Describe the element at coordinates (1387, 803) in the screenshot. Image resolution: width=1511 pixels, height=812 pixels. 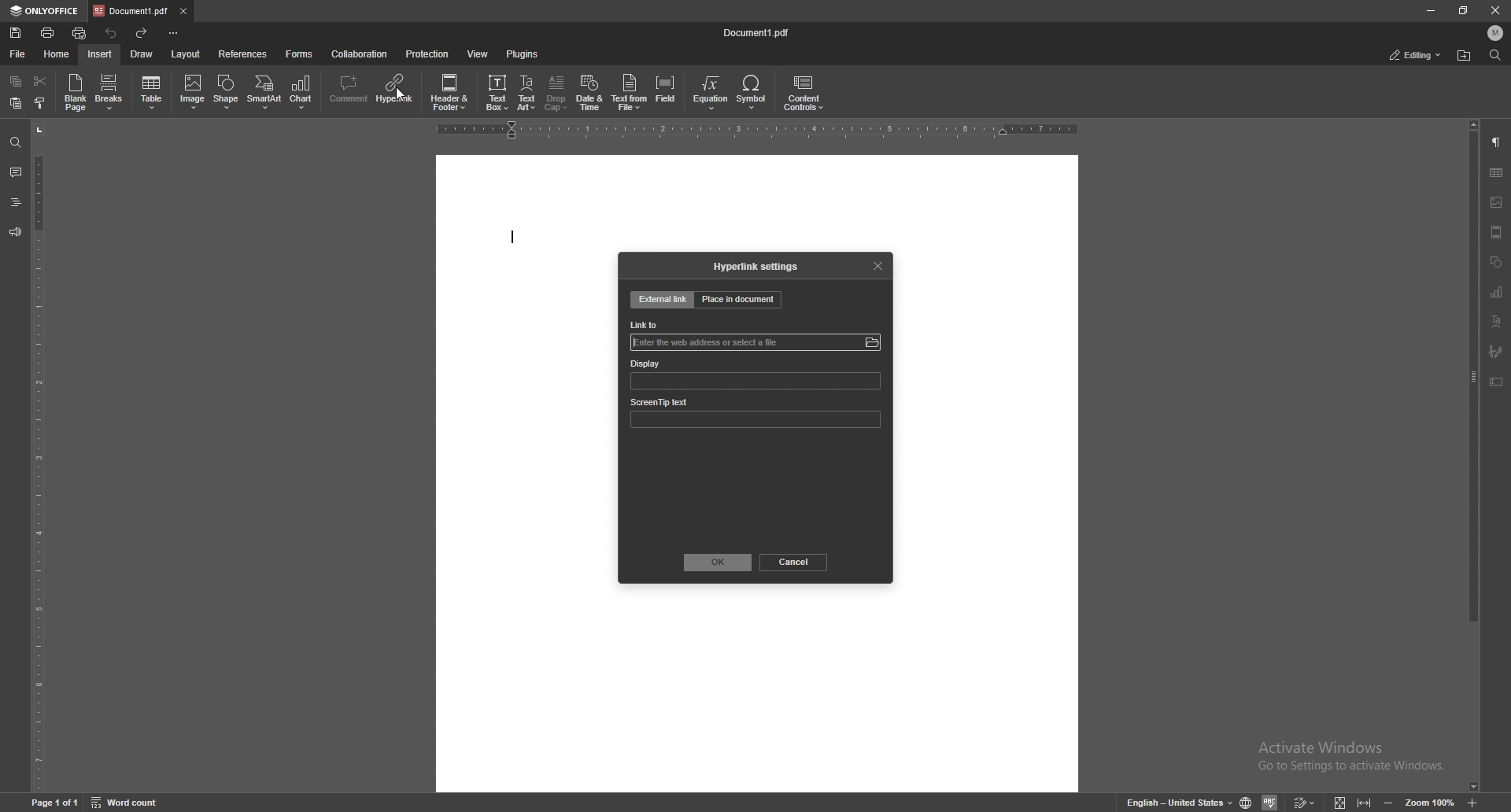
I see `zoom in` at that location.